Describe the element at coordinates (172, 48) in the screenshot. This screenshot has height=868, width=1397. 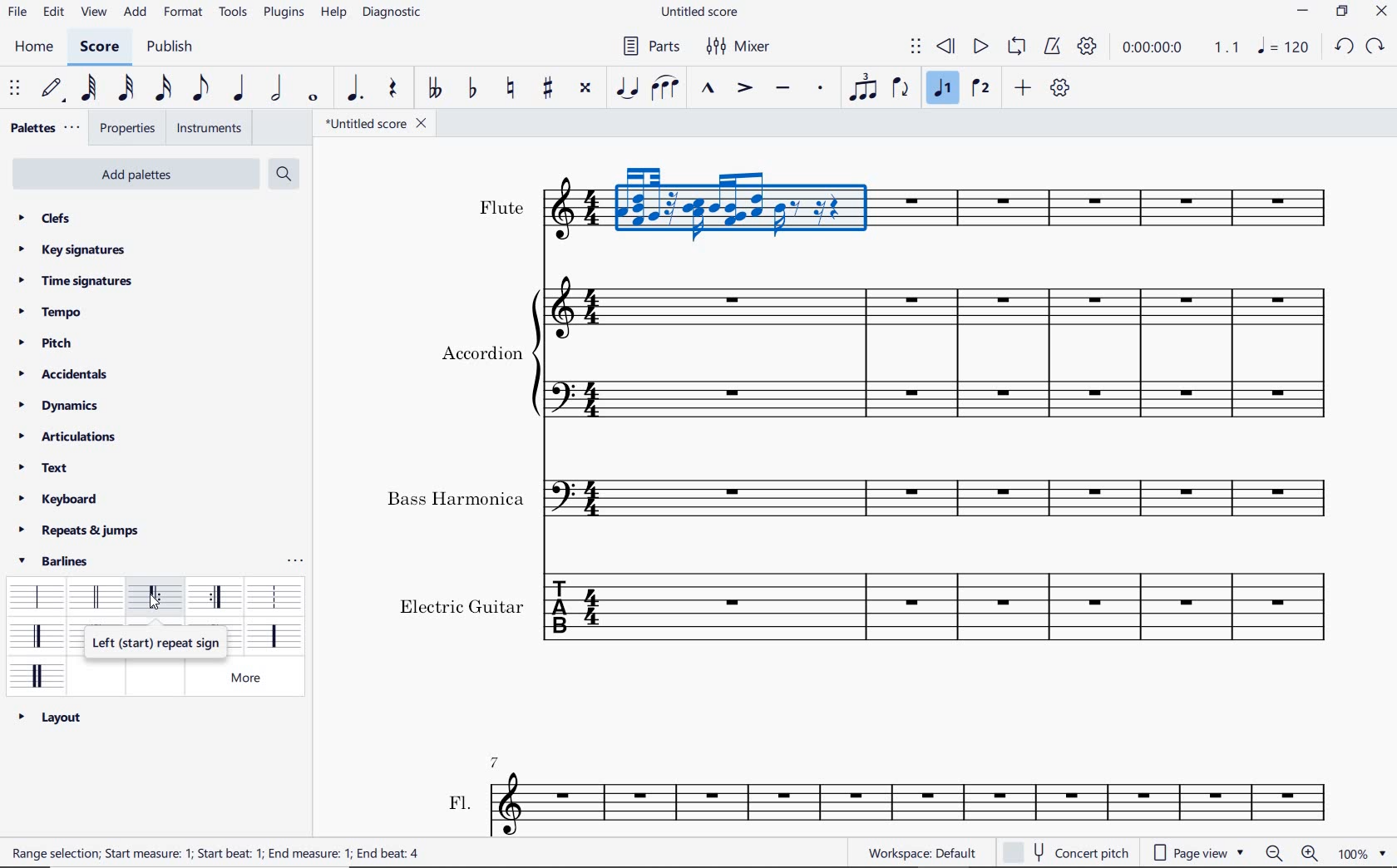
I see `PUBLISH` at that location.